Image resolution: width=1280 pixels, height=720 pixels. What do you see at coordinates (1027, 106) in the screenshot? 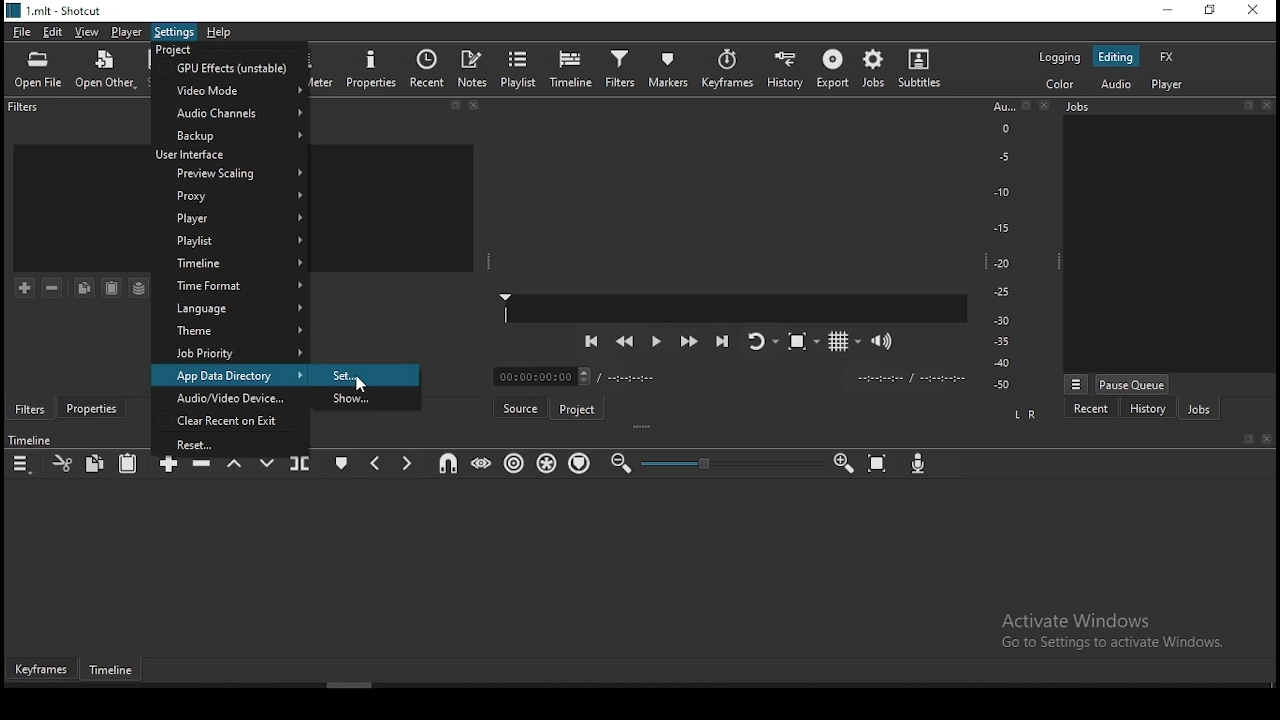
I see `Bookmark` at bounding box center [1027, 106].